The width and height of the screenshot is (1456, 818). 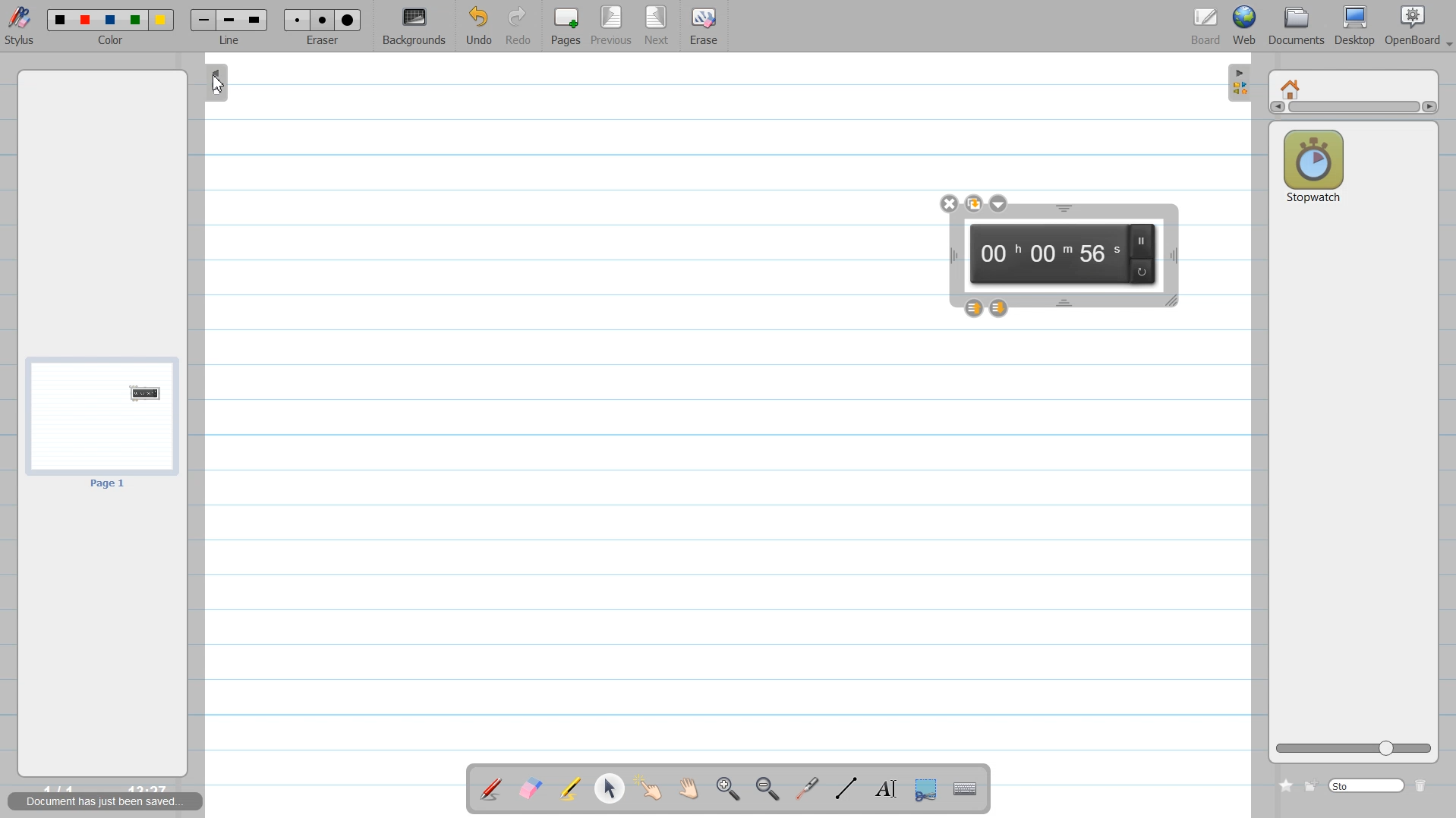 I want to click on Logo size adjuster, so click(x=1354, y=749).